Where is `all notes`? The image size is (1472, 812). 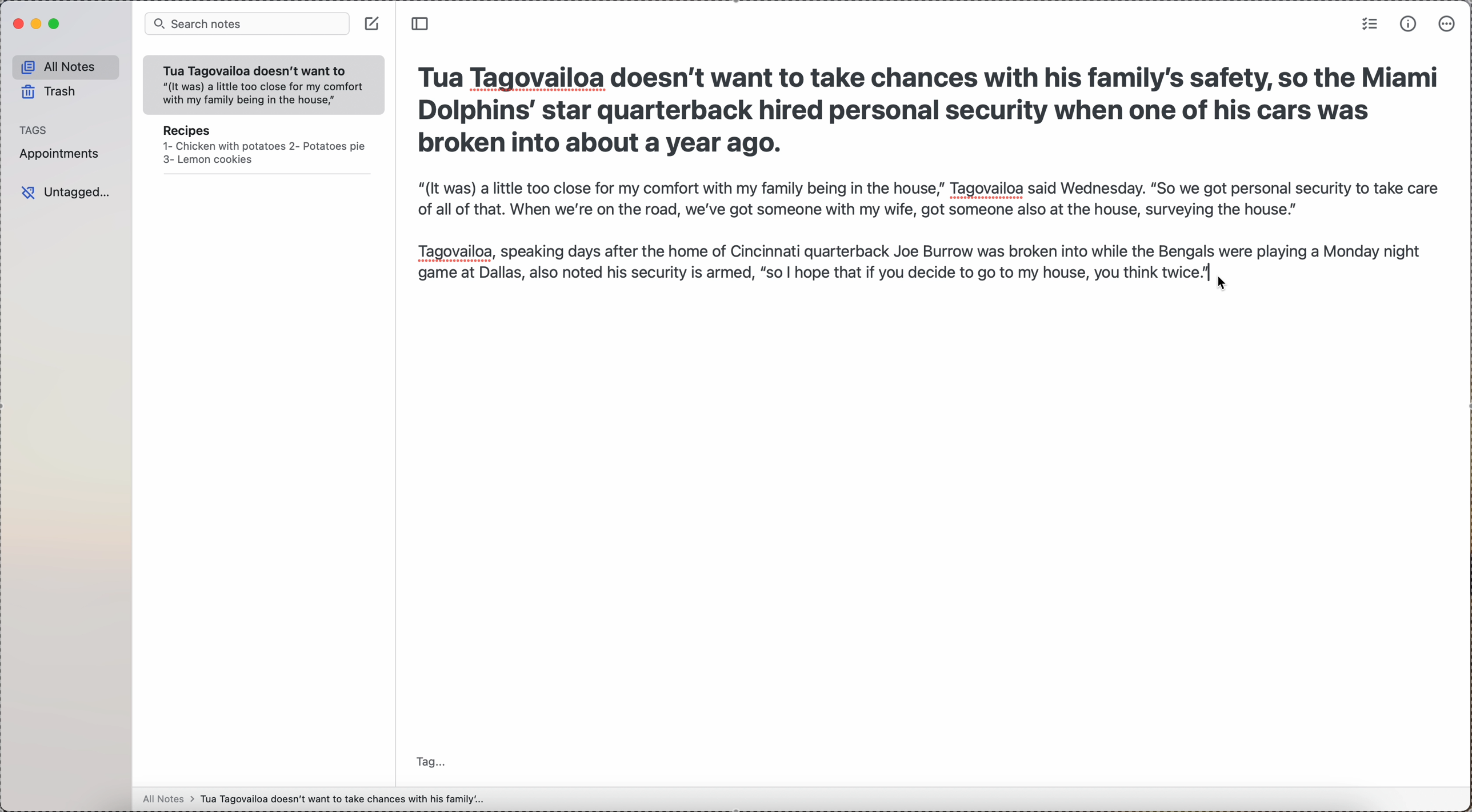 all notes is located at coordinates (312, 801).